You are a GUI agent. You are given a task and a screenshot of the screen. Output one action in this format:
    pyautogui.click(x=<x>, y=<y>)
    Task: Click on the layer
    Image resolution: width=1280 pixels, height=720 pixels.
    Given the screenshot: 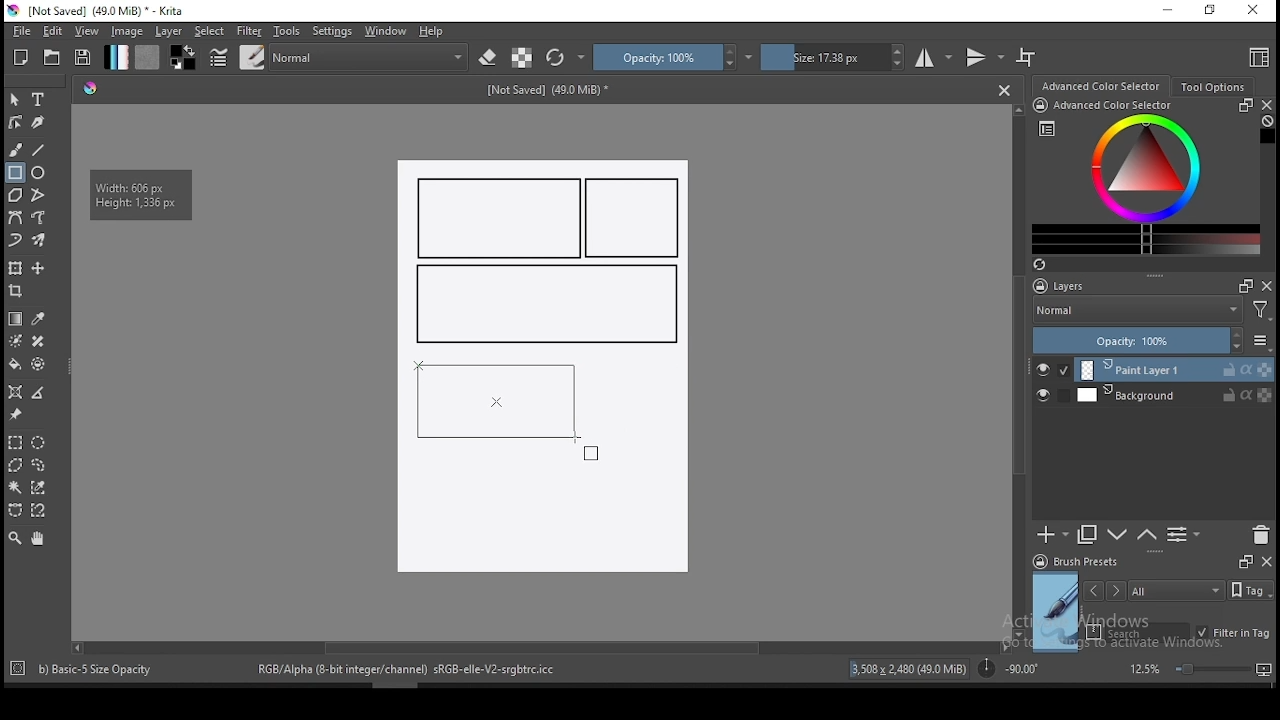 What is the action you would take?
    pyautogui.click(x=170, y=31)
    